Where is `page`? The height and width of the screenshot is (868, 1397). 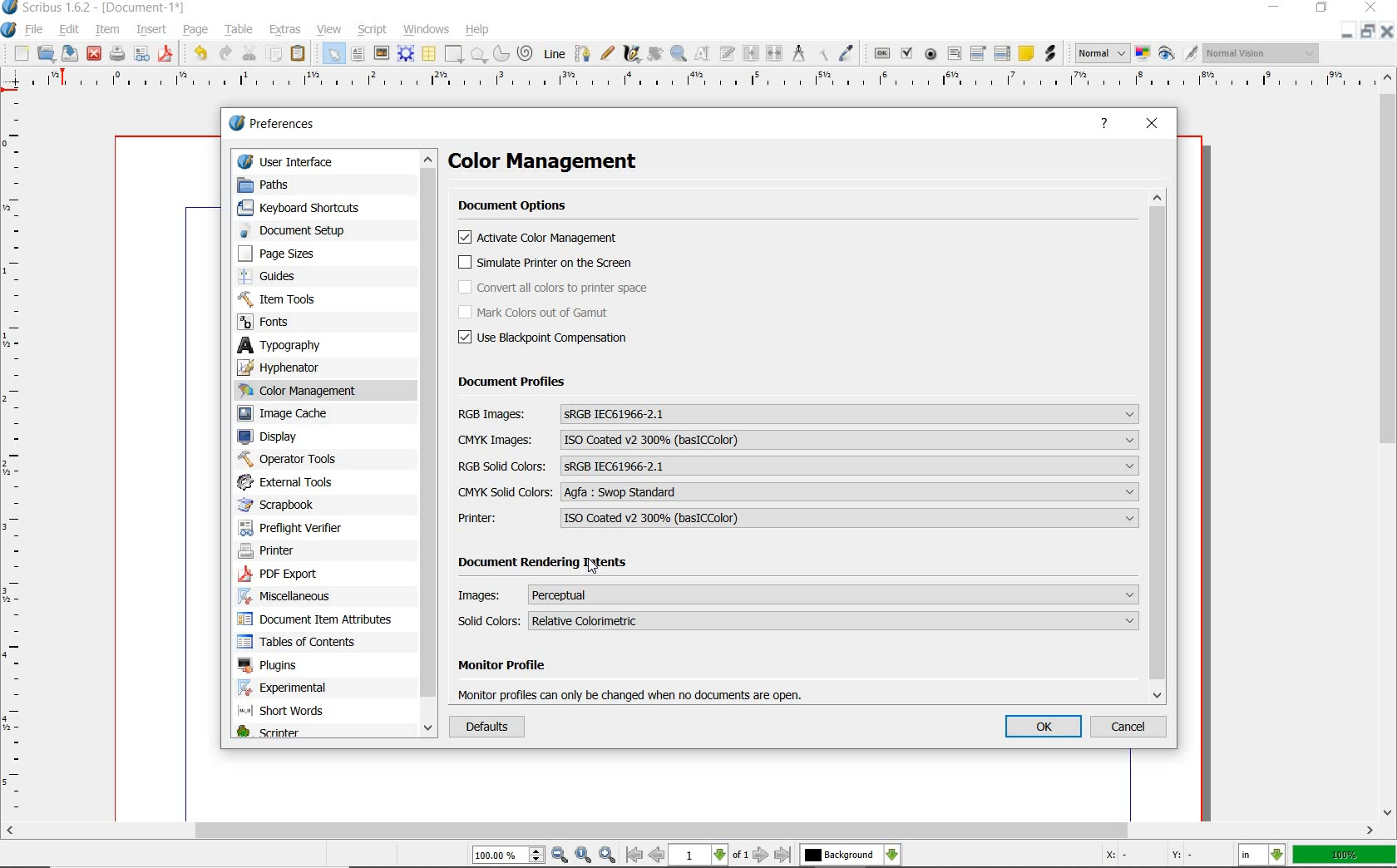 page is located at coordinates (197, 31).